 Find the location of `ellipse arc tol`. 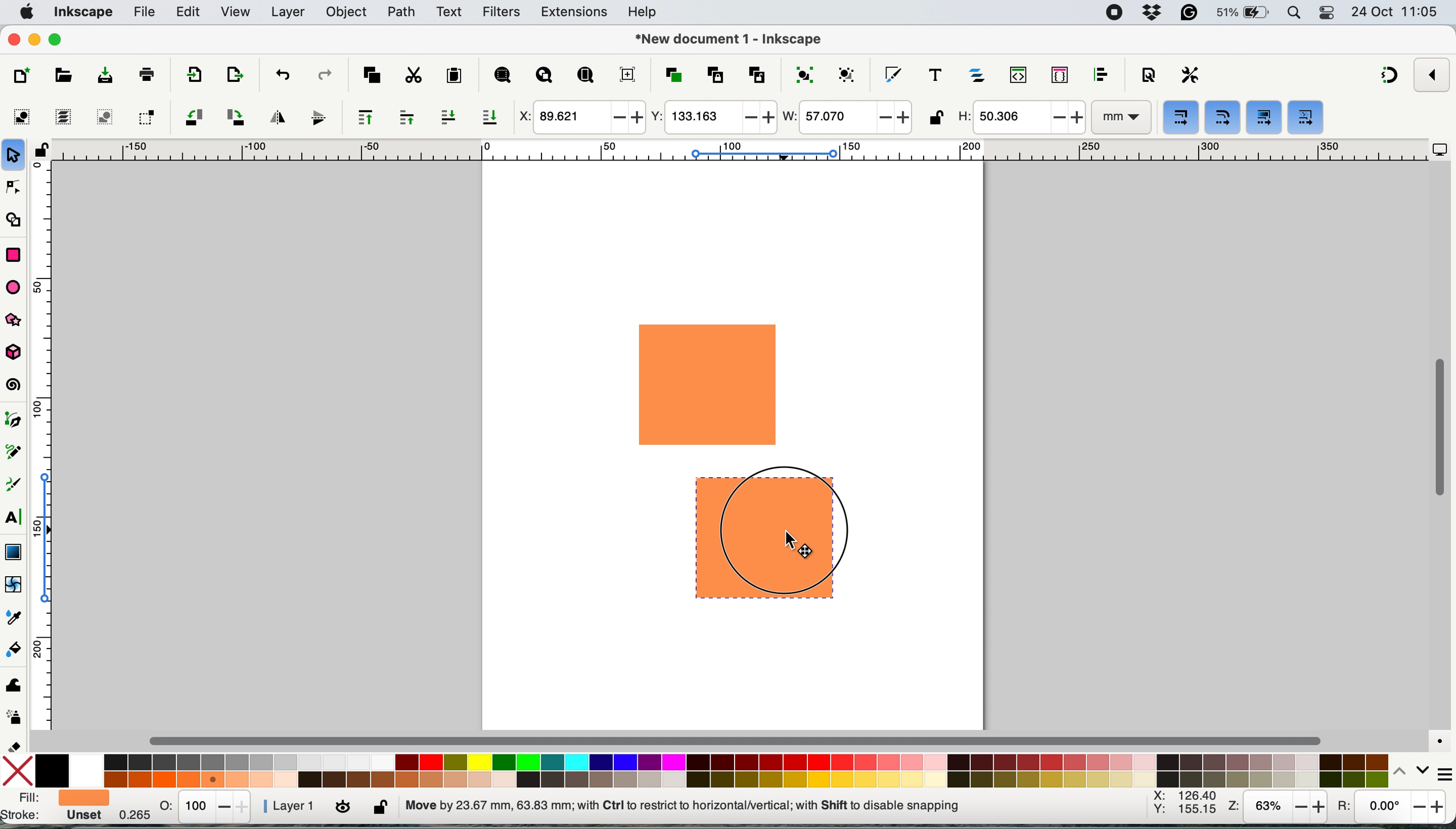

ellipse arc tol is located at coordinates (17, 286).